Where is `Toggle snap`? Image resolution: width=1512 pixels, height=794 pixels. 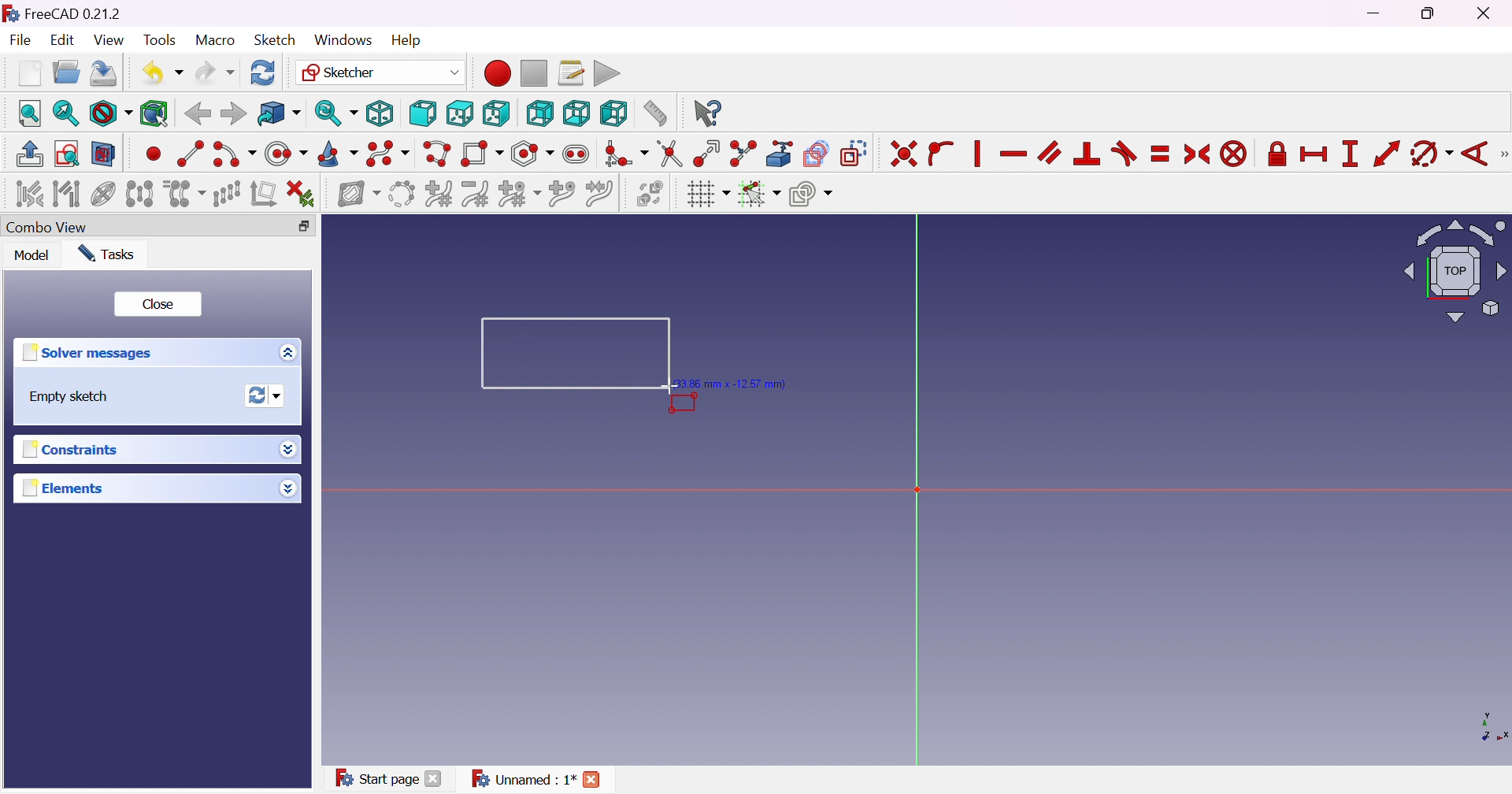 Toggle snap is located at coordinates (758, 194).